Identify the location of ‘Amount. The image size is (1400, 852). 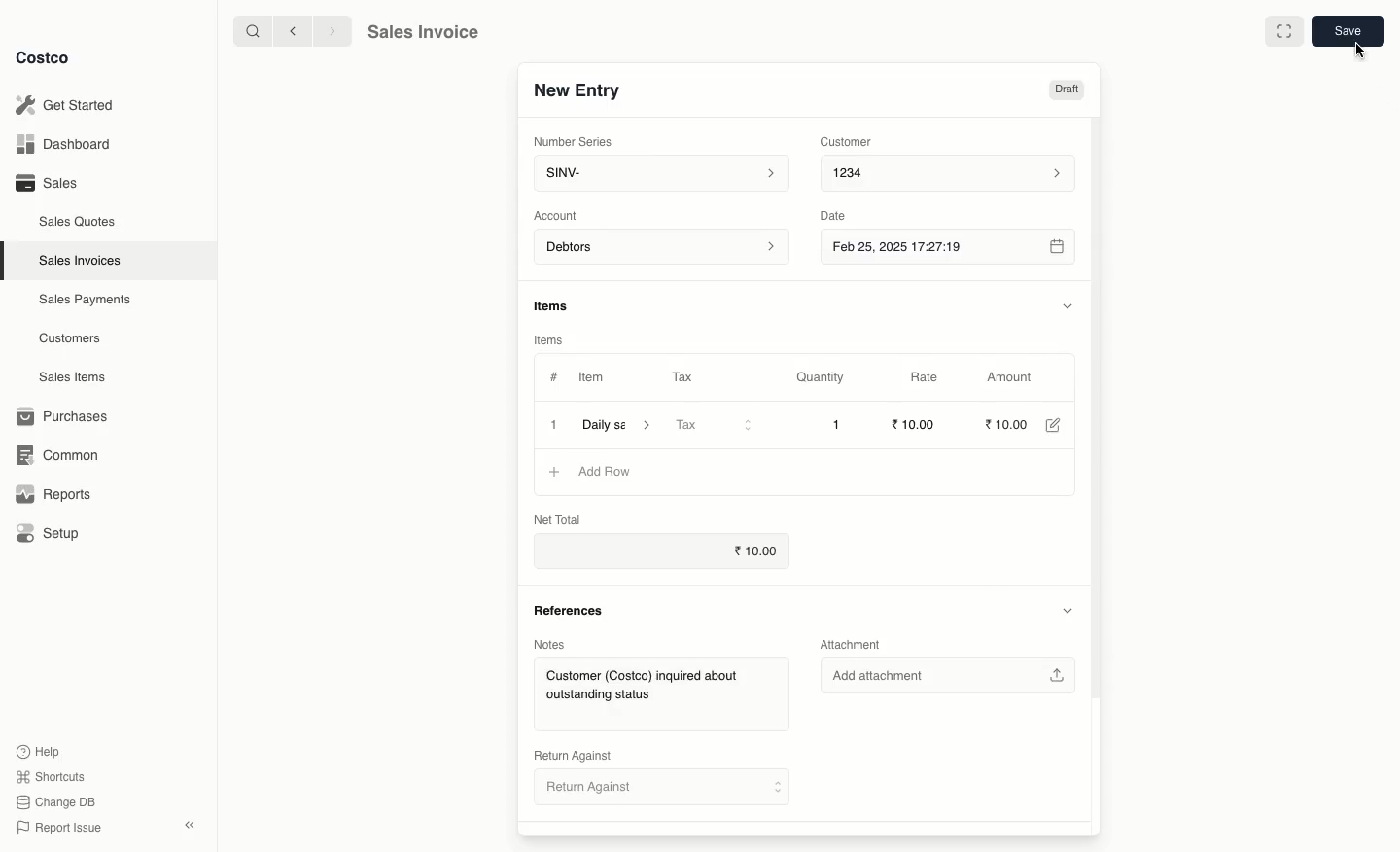
(1018, 378).